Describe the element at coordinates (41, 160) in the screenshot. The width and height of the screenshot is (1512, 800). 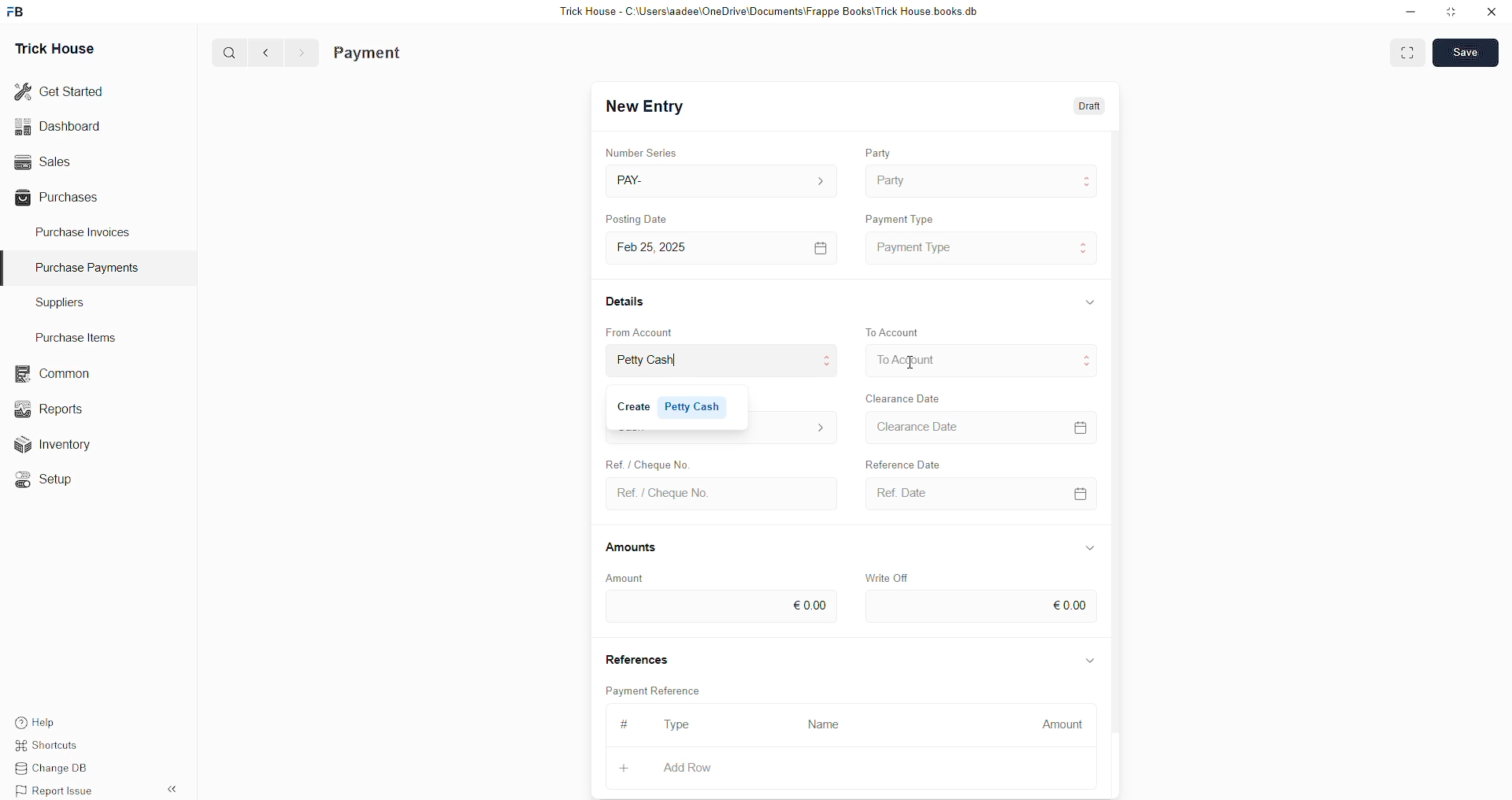
I see `Sales` at that location.